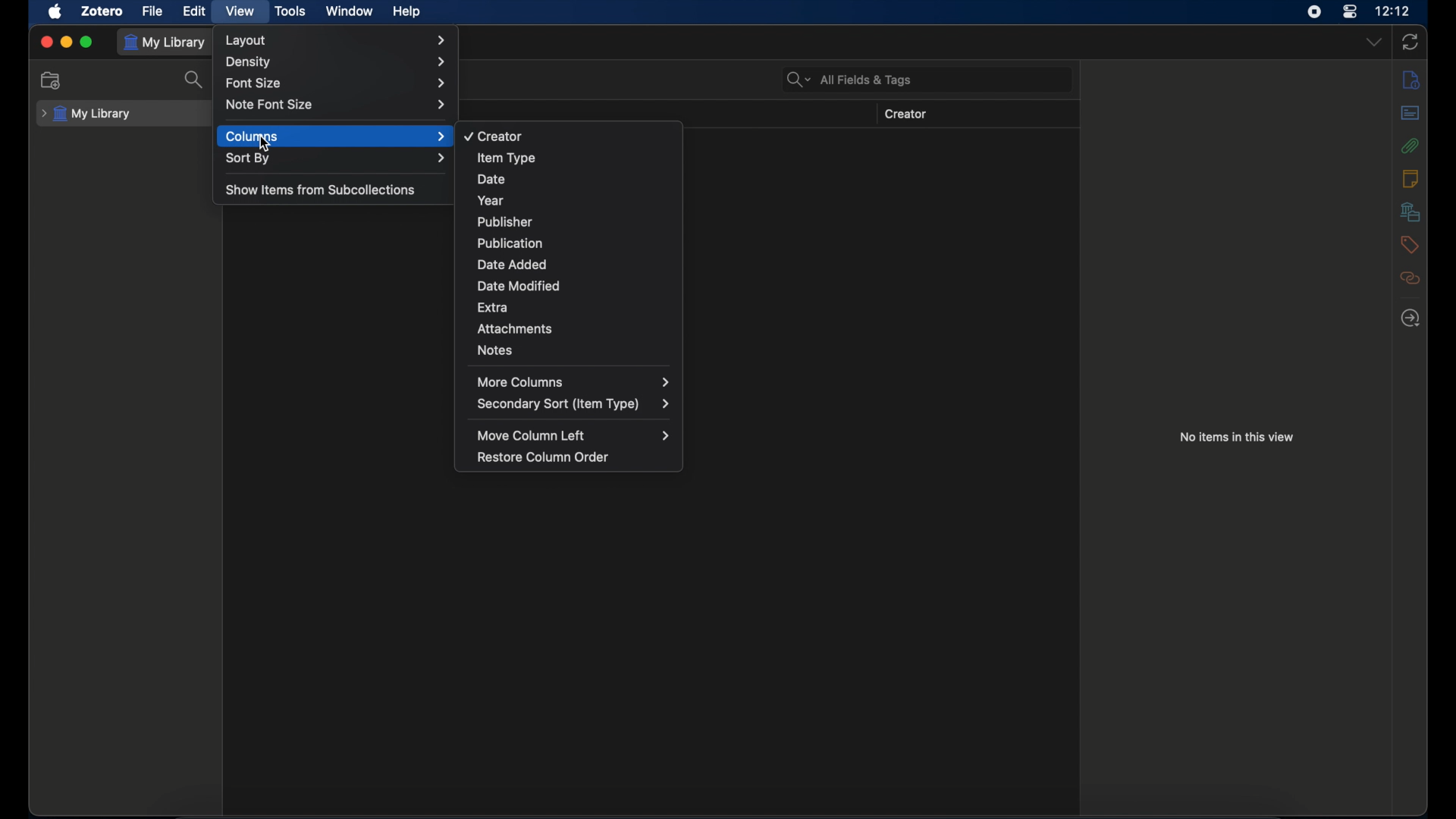 Image resolution: width=1456 pixels, height=819 pixels. Describe the element at coordinates (1393, 10) in the screenshot. I see `time` at that location.